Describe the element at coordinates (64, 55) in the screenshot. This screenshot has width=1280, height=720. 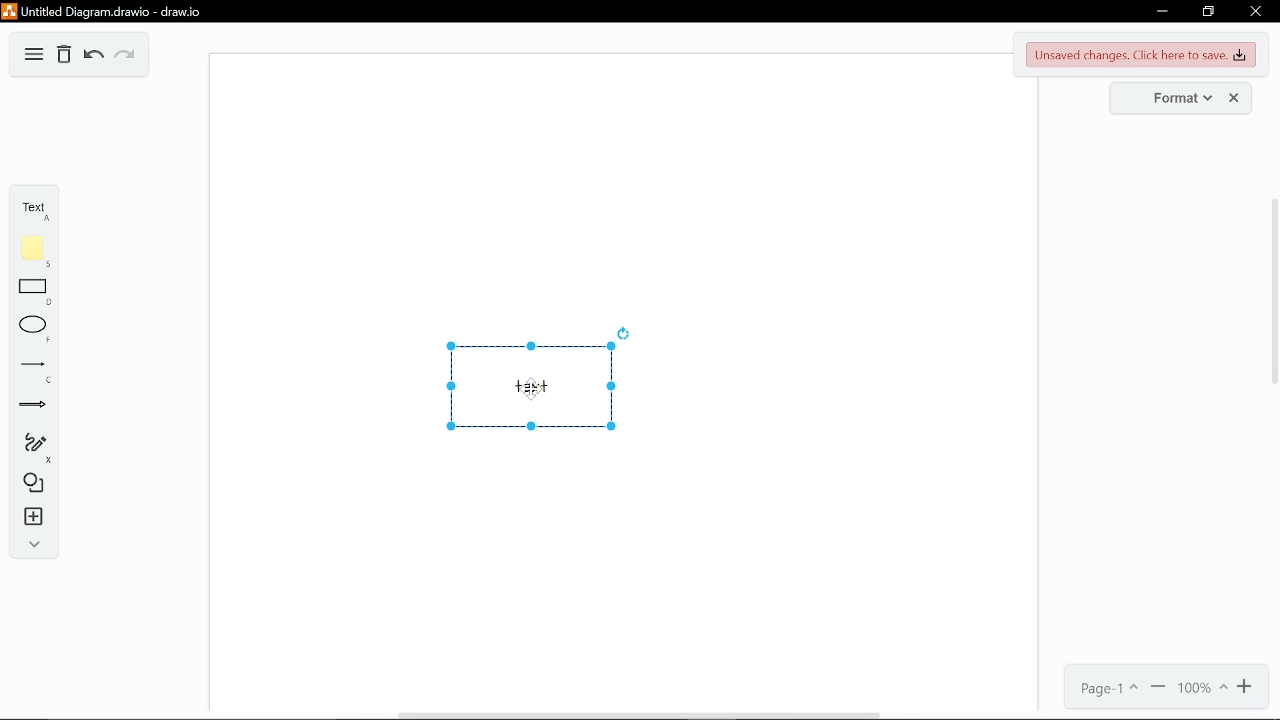
I see `delete` at that location.